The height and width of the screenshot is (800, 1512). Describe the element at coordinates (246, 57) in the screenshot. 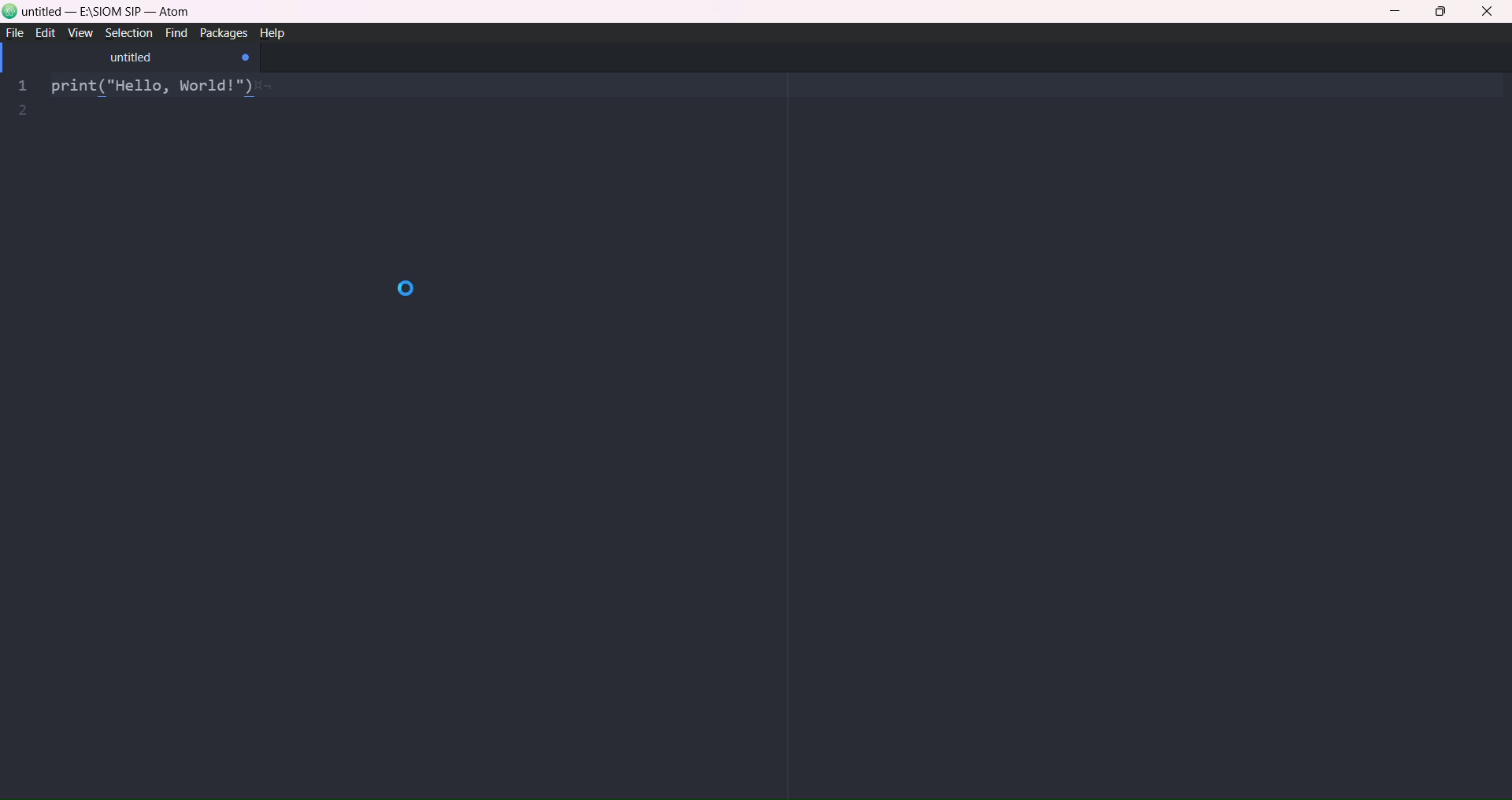

I see `close` at that location.